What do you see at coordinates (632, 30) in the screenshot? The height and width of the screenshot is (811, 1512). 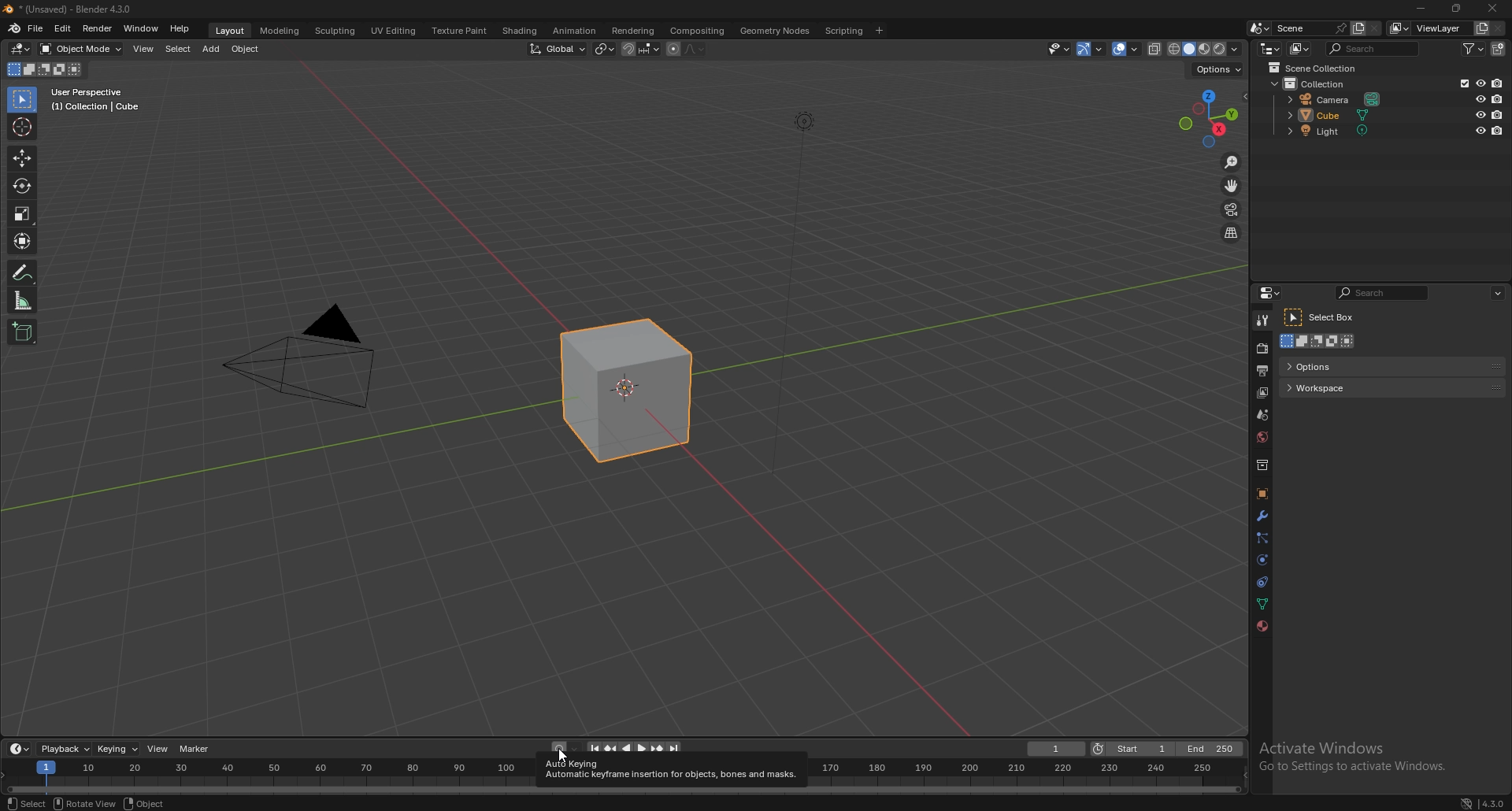 I see `rendering` at bounding box center [632, 30].